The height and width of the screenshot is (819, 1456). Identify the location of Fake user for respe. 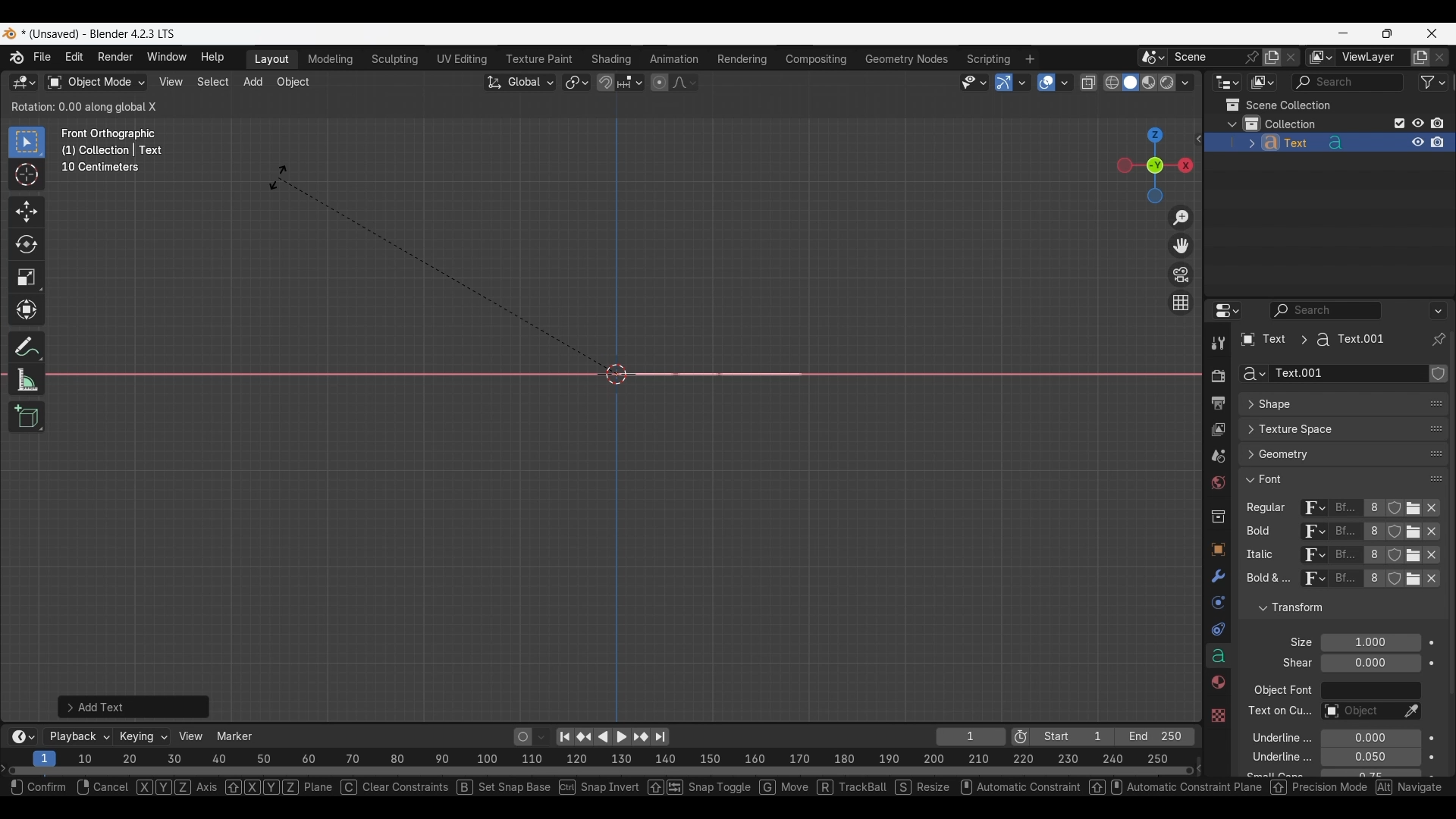
(1395, 544).